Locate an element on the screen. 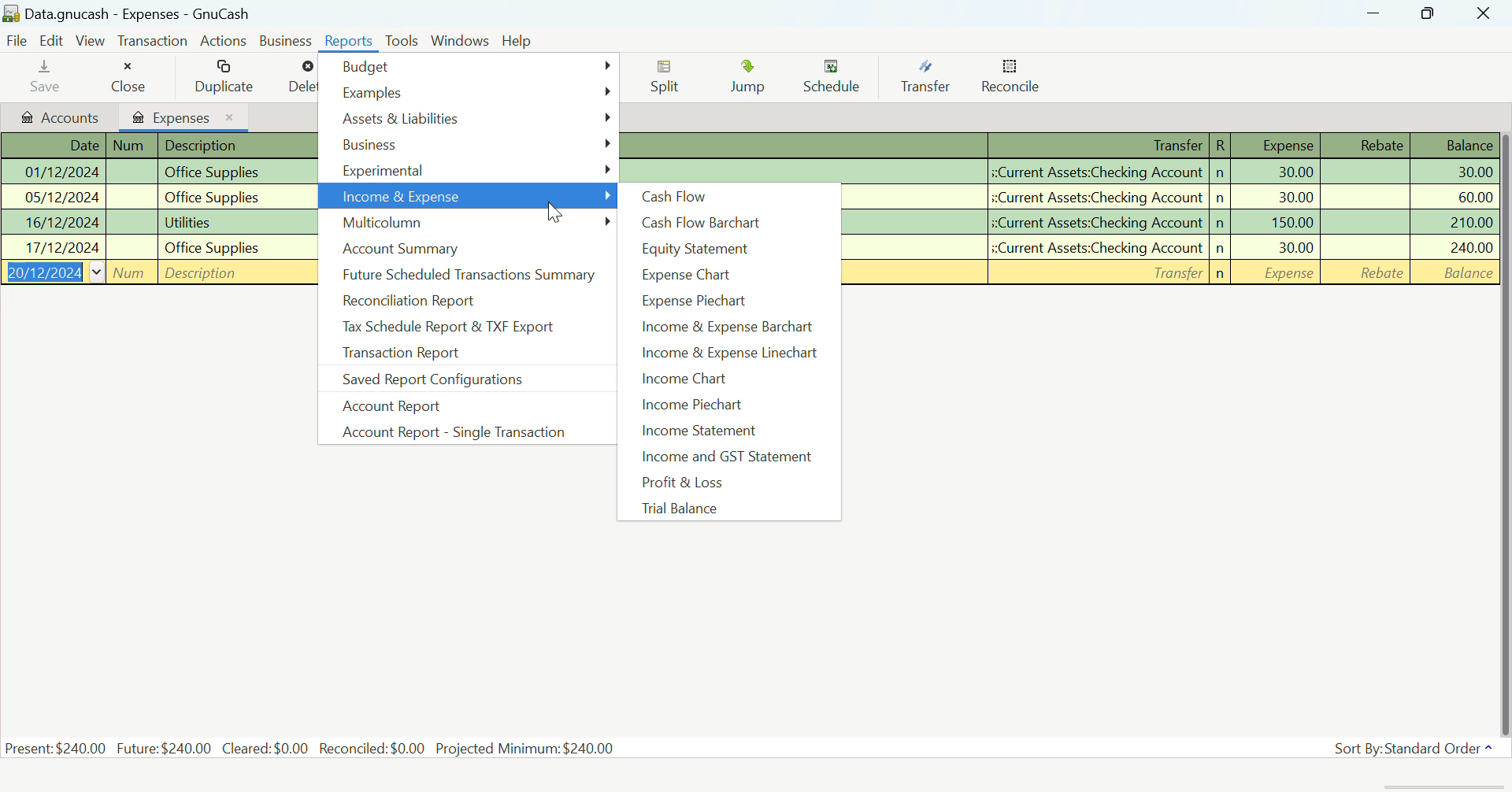 This screenshot has height=792, width=1512. Office Supplies Transaction is located at coordinates (154, 246).